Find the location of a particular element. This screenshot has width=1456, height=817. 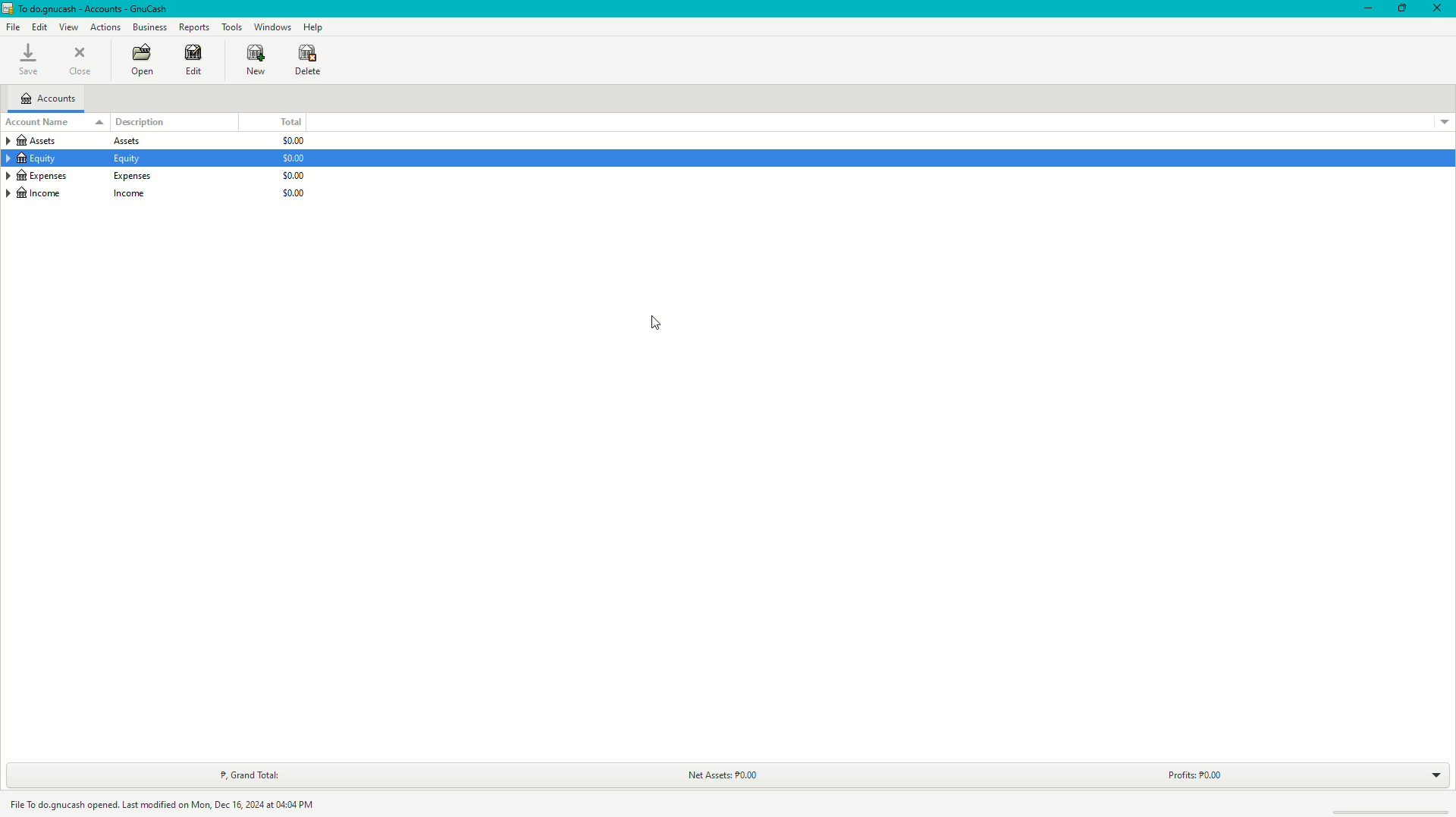

Open is located at coordinates (143, 62).